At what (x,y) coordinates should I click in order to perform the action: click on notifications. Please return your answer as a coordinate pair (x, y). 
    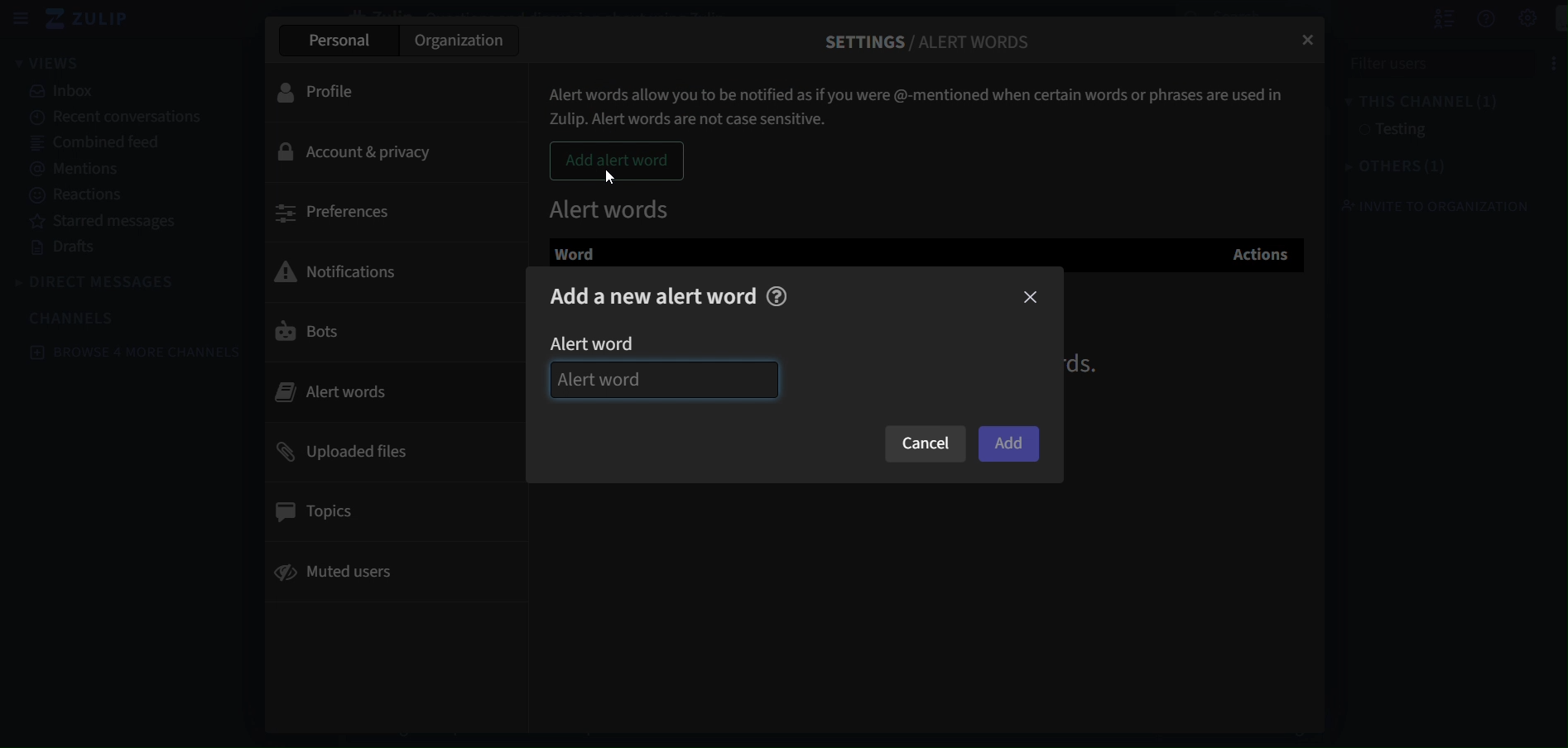
    Looking at the image, I should click on (348, 269).